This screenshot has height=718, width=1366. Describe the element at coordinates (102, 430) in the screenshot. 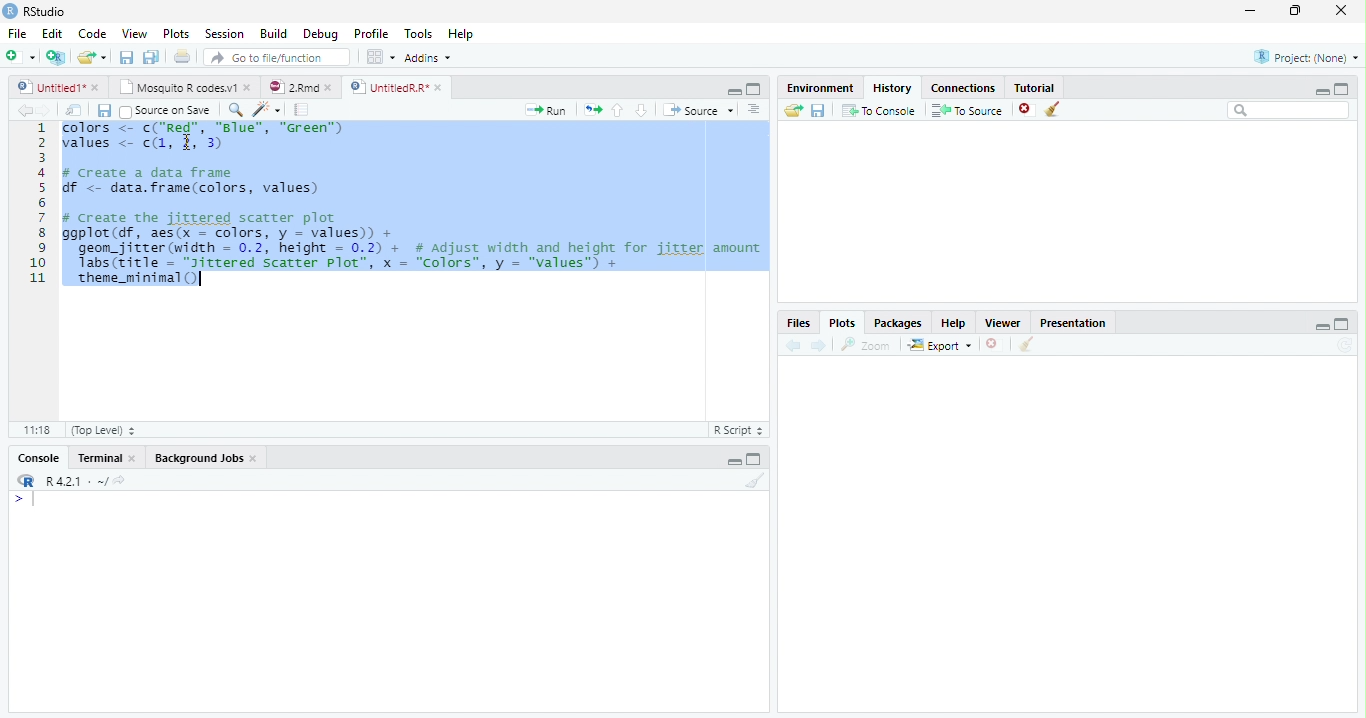

I see `(Top Level)` at that location.